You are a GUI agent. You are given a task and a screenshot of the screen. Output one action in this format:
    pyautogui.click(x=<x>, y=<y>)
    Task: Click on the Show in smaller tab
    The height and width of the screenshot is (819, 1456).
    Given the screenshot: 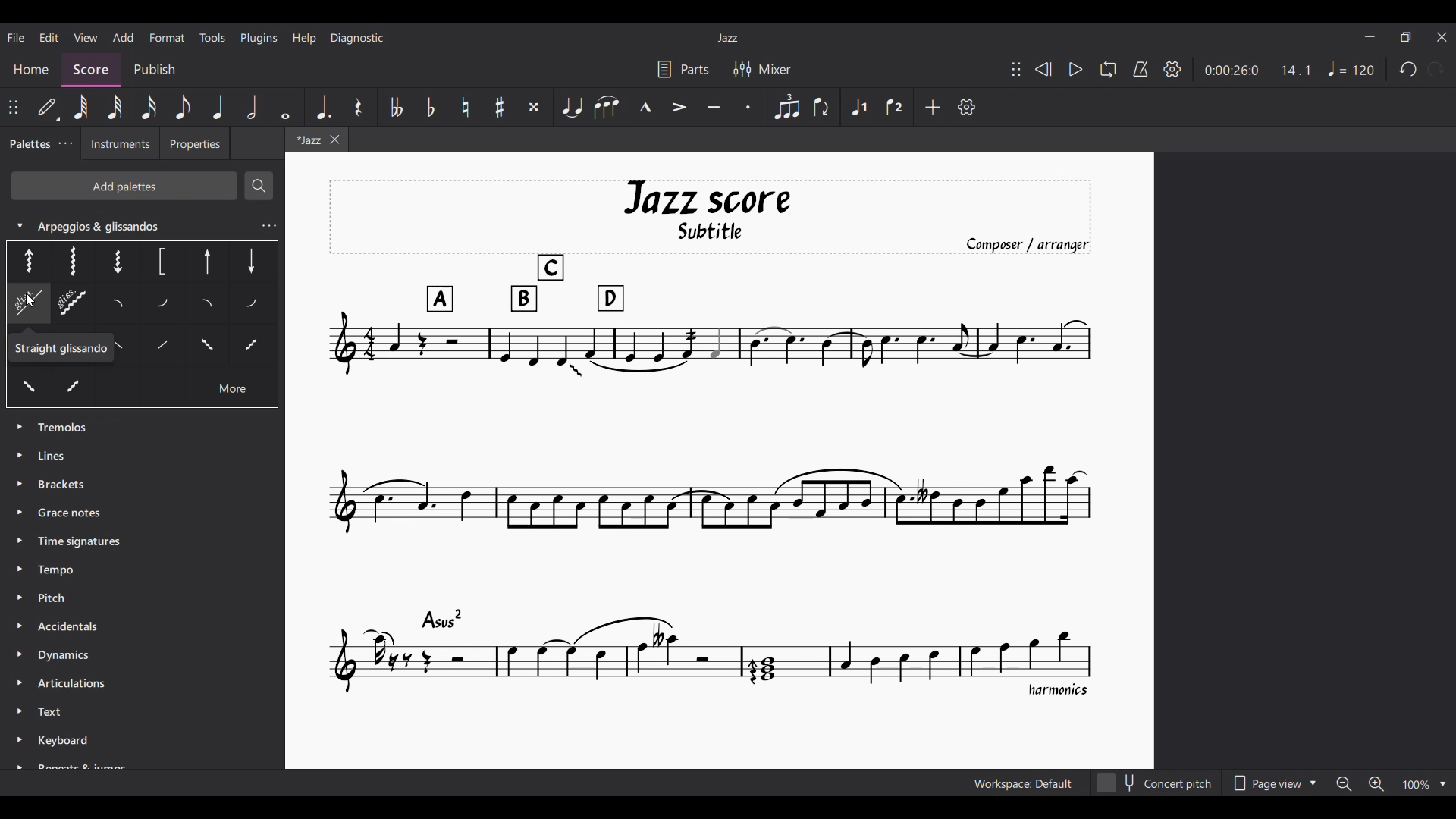 What is the action you would take?
    pyautogui.click(x=1406, y=37)
    